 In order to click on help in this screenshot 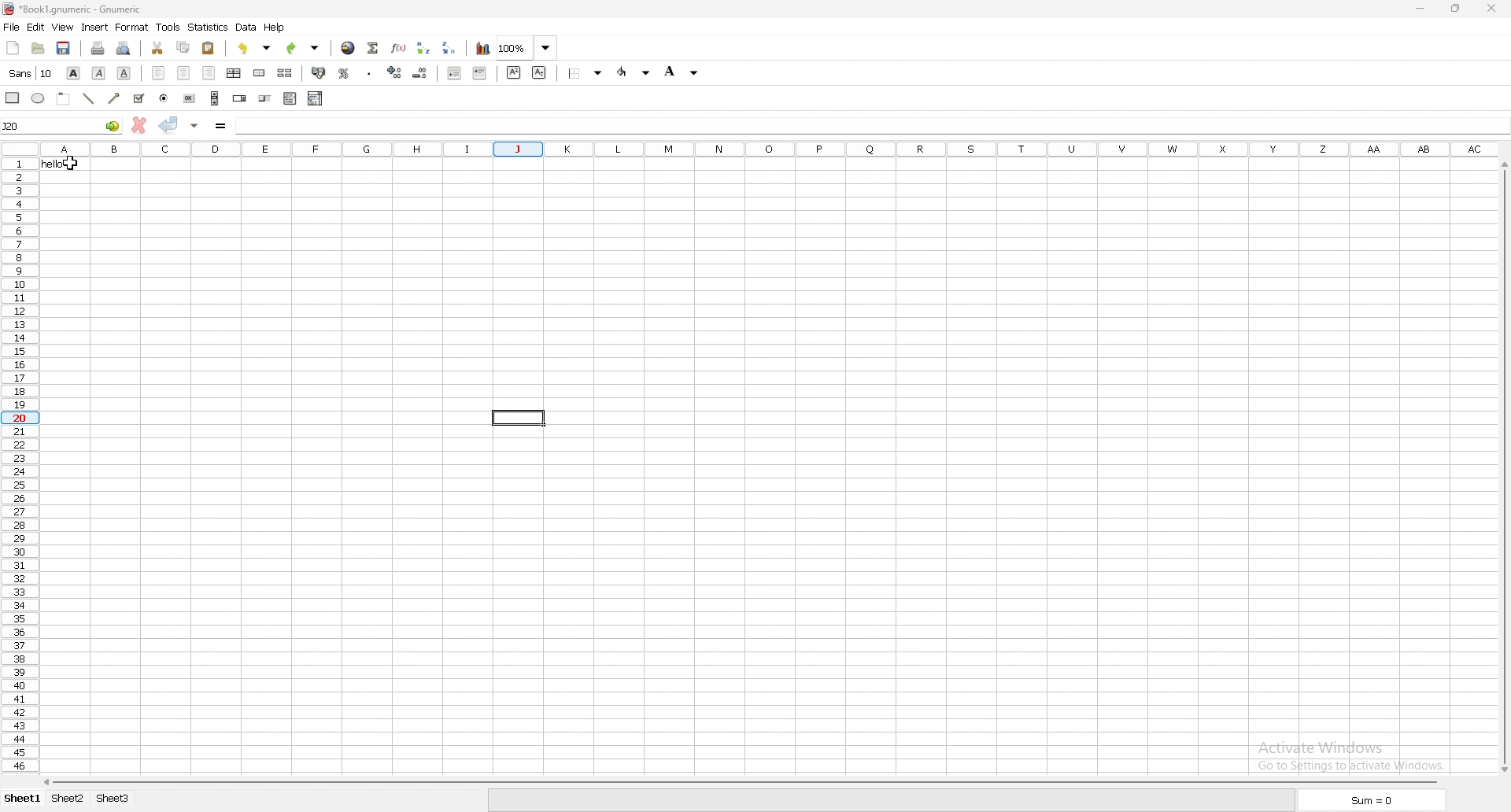, I will do `click(275, 29)`.